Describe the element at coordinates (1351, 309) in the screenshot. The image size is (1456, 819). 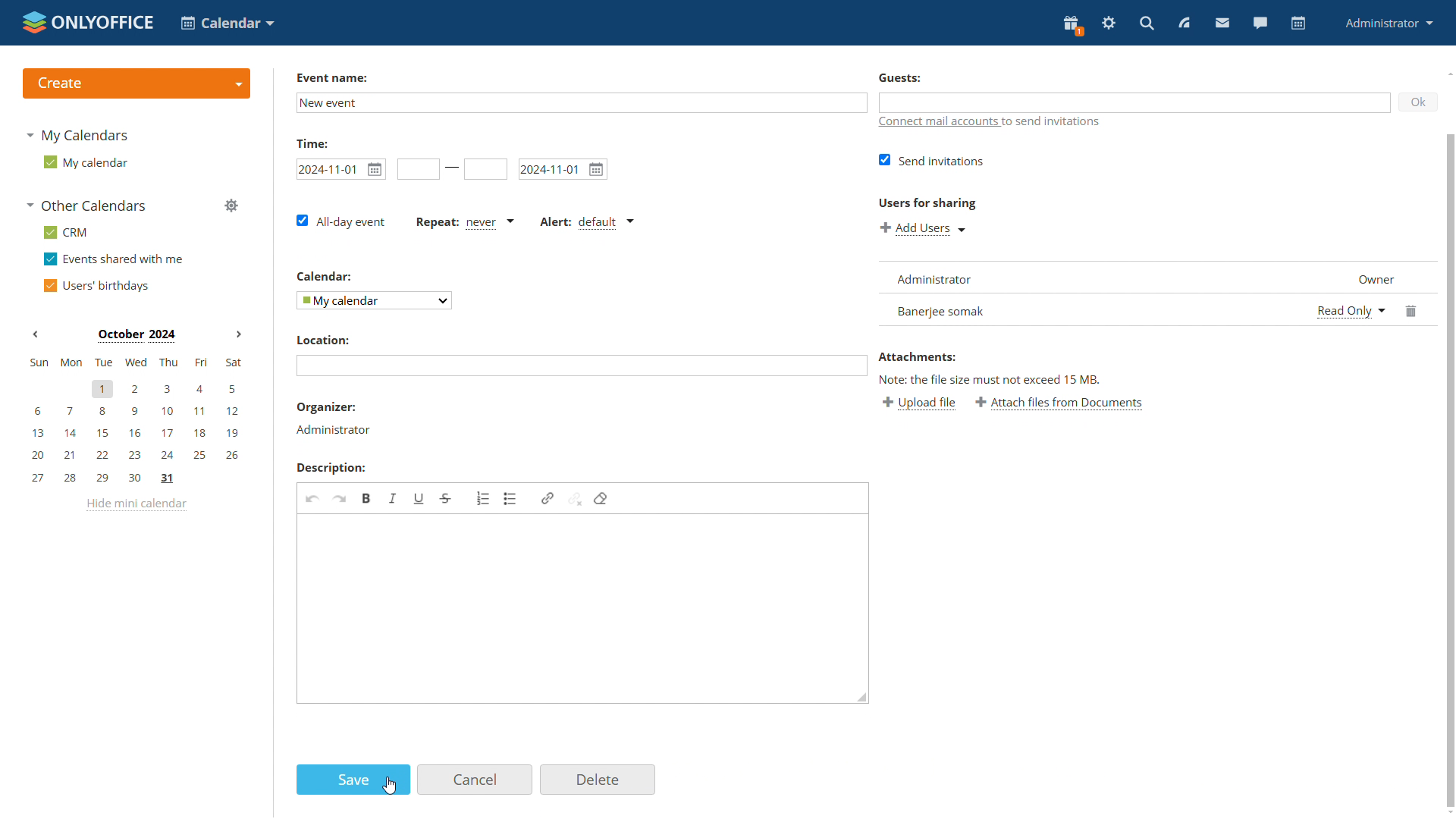
I see `select permission ` at that location.